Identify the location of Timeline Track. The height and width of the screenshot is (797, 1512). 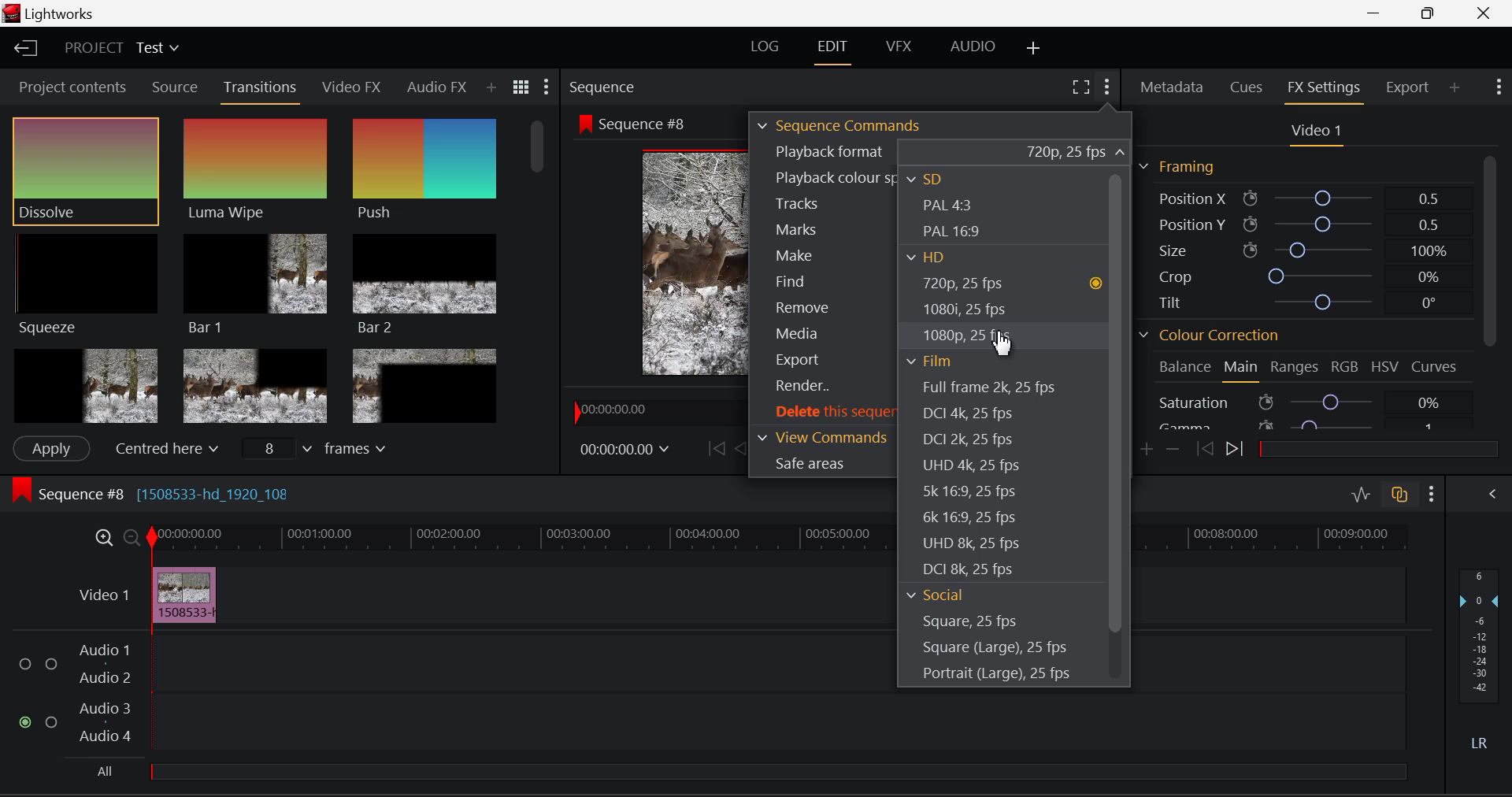
(515, 537).